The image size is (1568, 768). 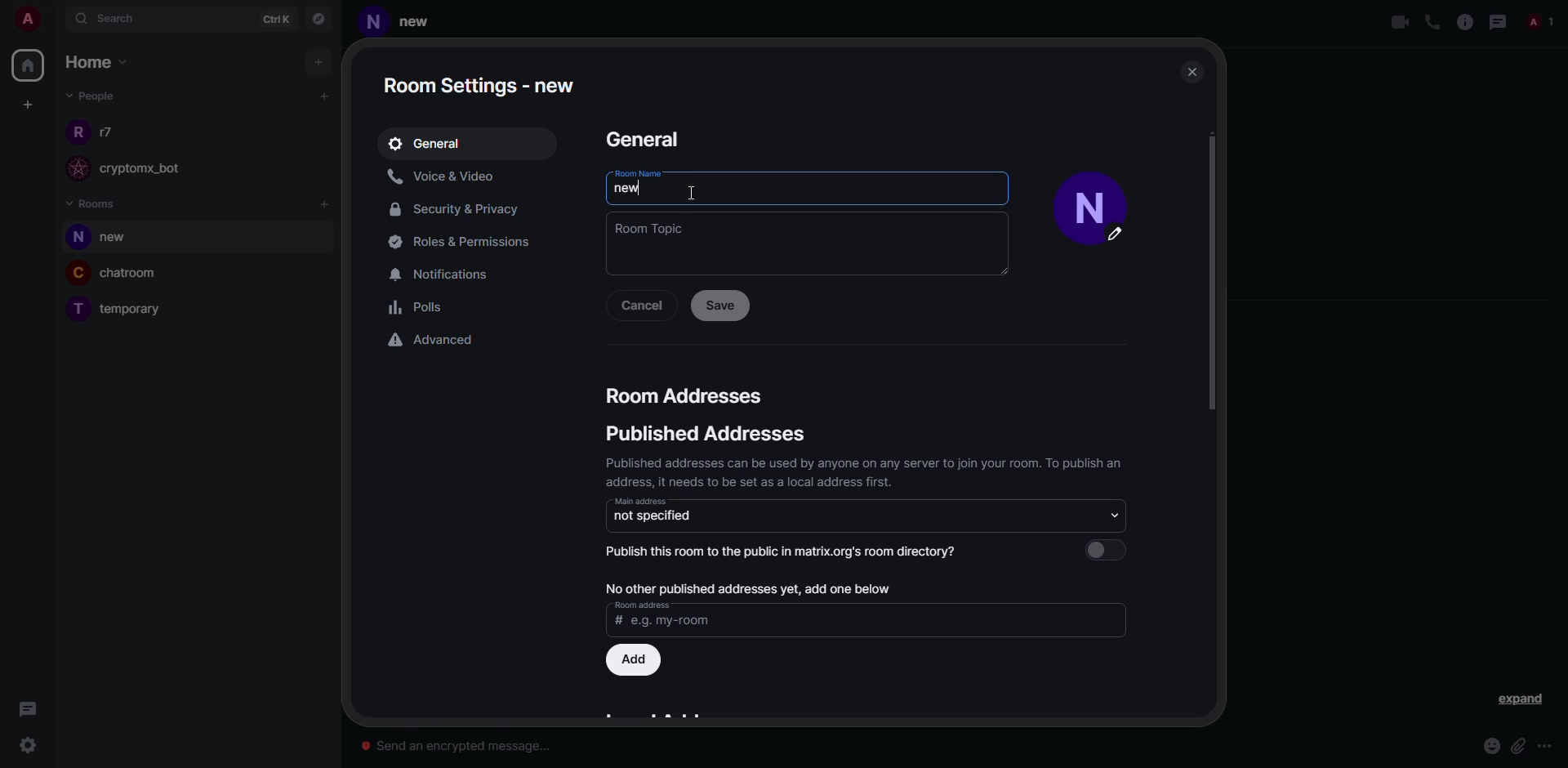 What do you see at coordinates (719, 305) in the screenshot?
I see `save` at bounding box center [719, 305].